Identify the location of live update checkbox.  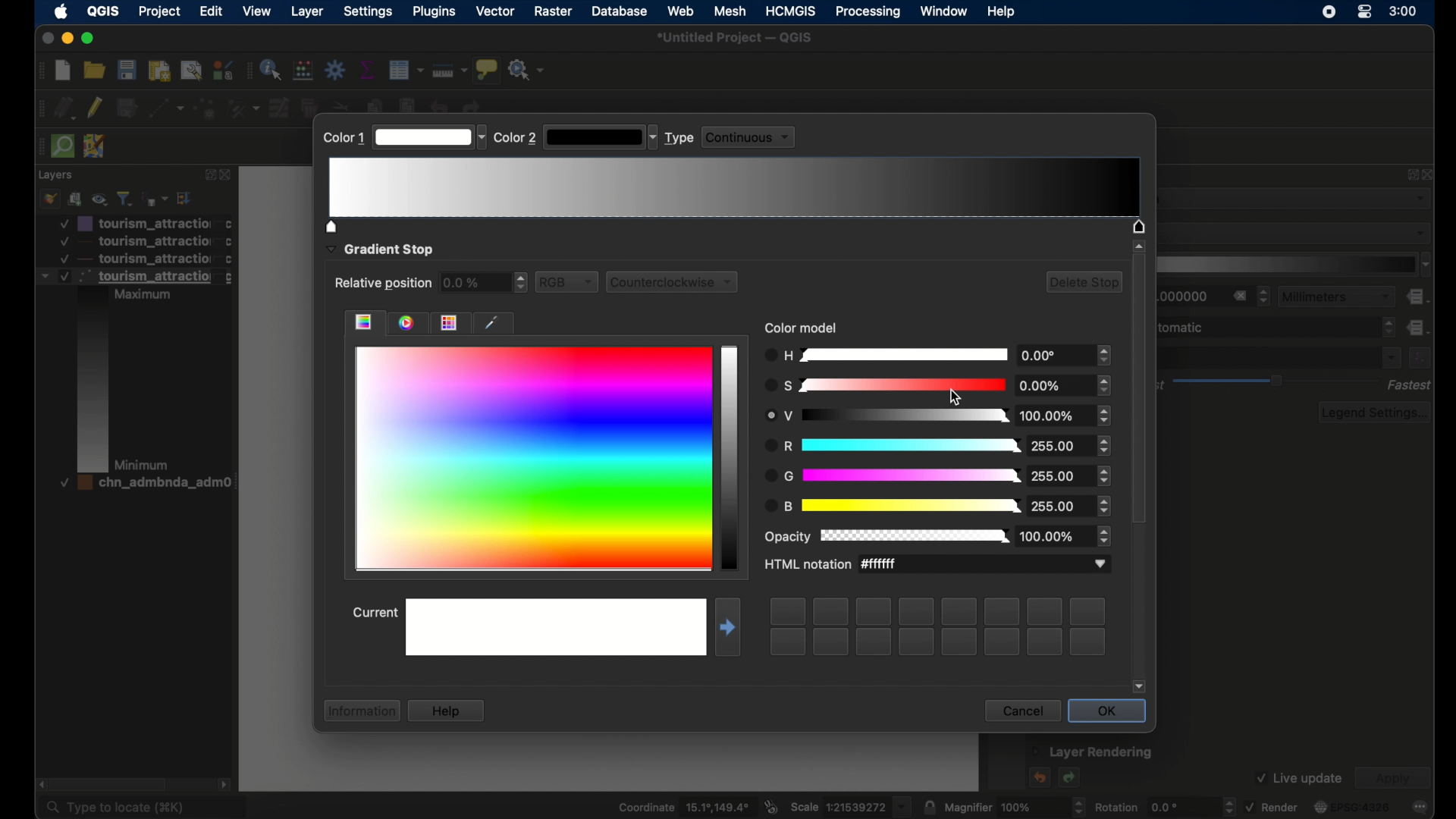
(1298, 777).